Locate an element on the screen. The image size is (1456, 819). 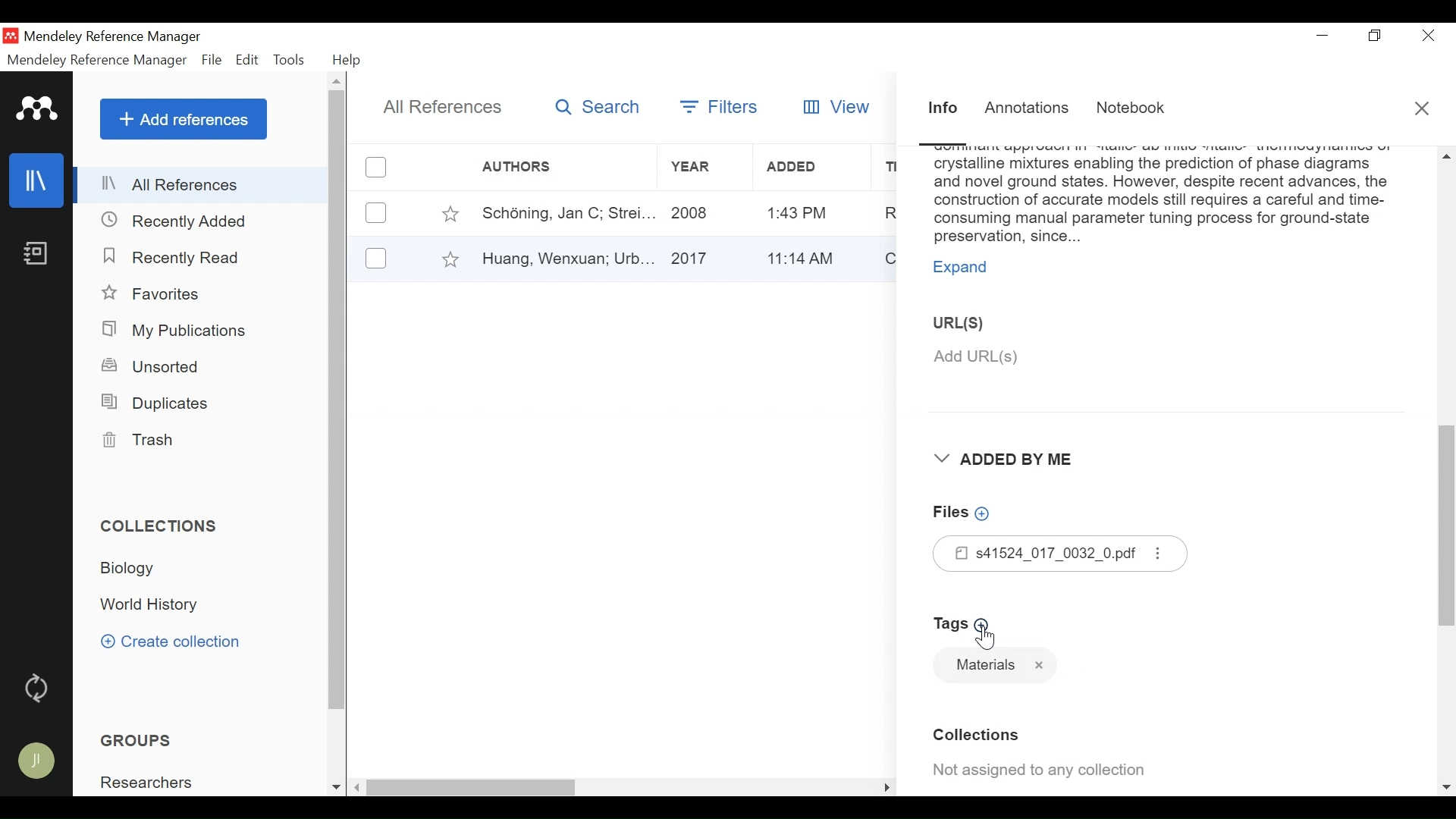
Close is located at coordinates (1423, 109).